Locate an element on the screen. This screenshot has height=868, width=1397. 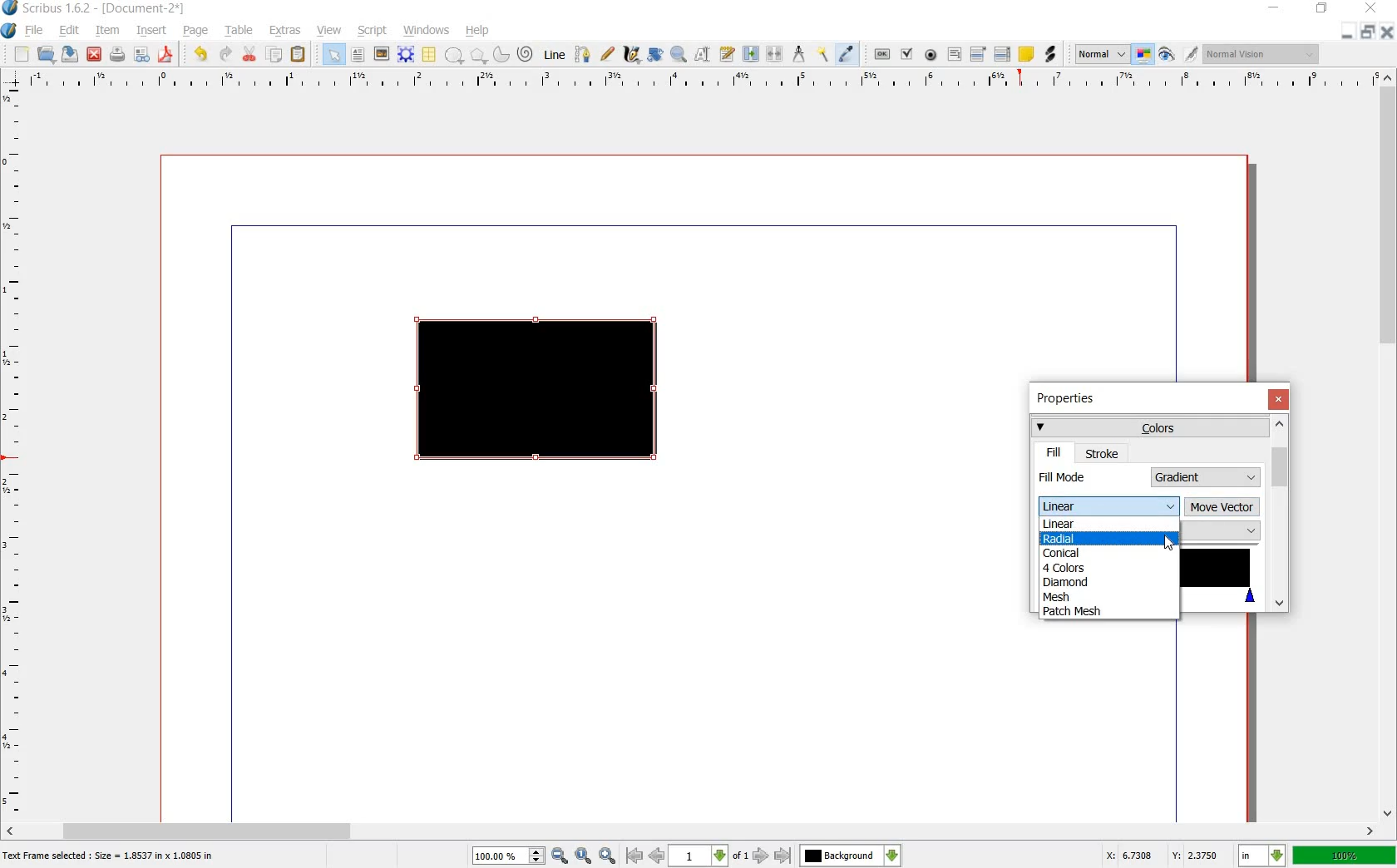
render frame is located at coordinates (406, 55).